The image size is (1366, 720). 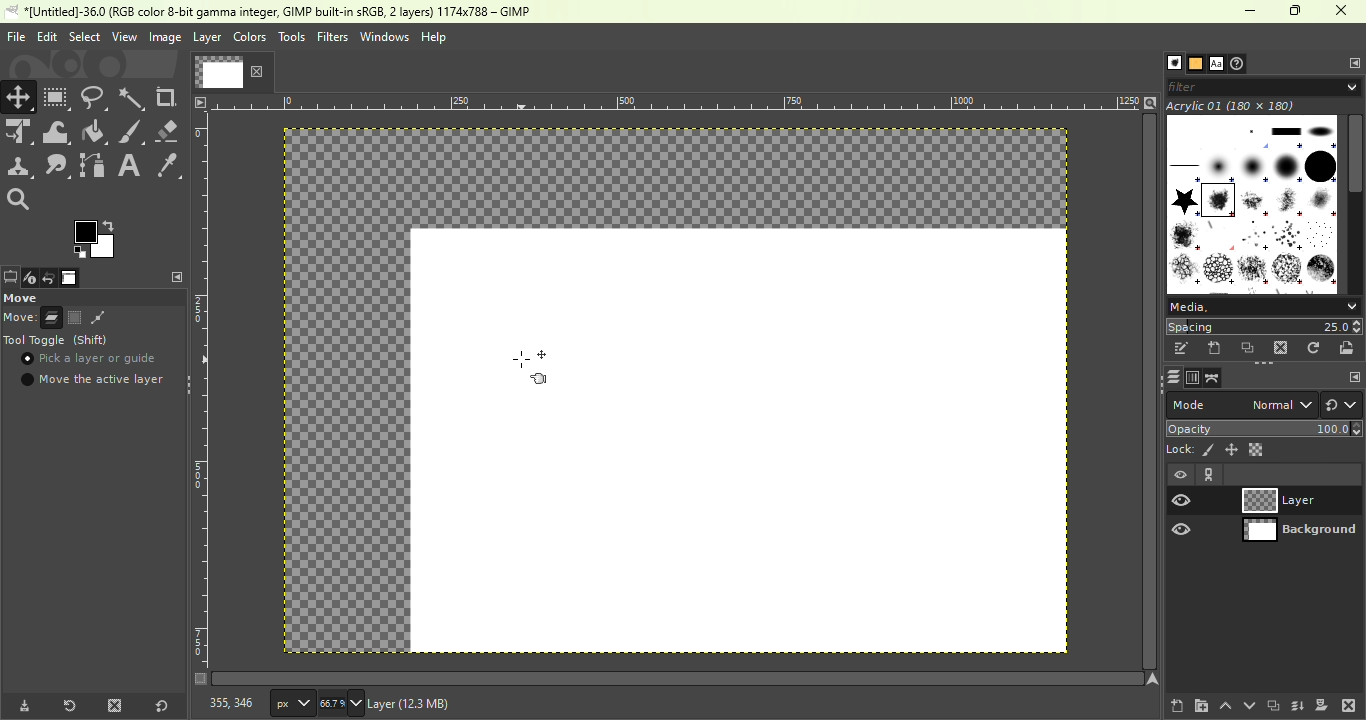 I want to click on Configure this tab, so click(x=174, y=277).